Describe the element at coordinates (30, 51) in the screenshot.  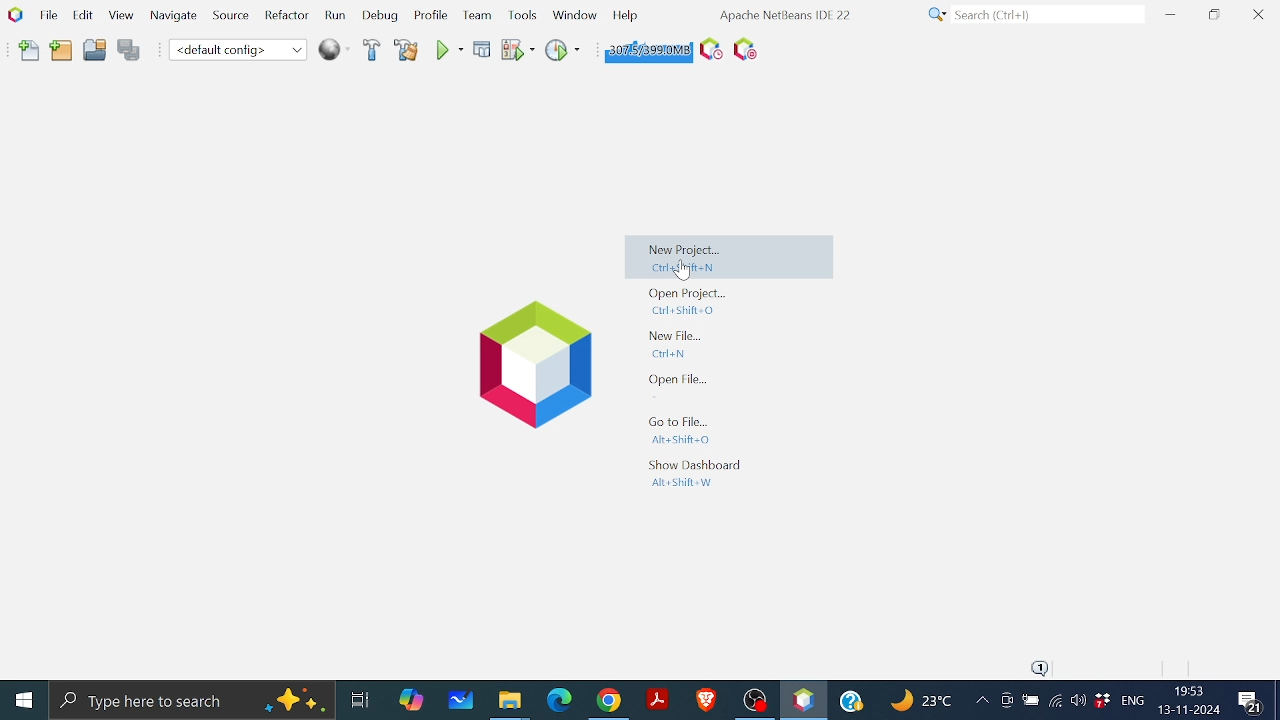
I see `Add file` at that location.